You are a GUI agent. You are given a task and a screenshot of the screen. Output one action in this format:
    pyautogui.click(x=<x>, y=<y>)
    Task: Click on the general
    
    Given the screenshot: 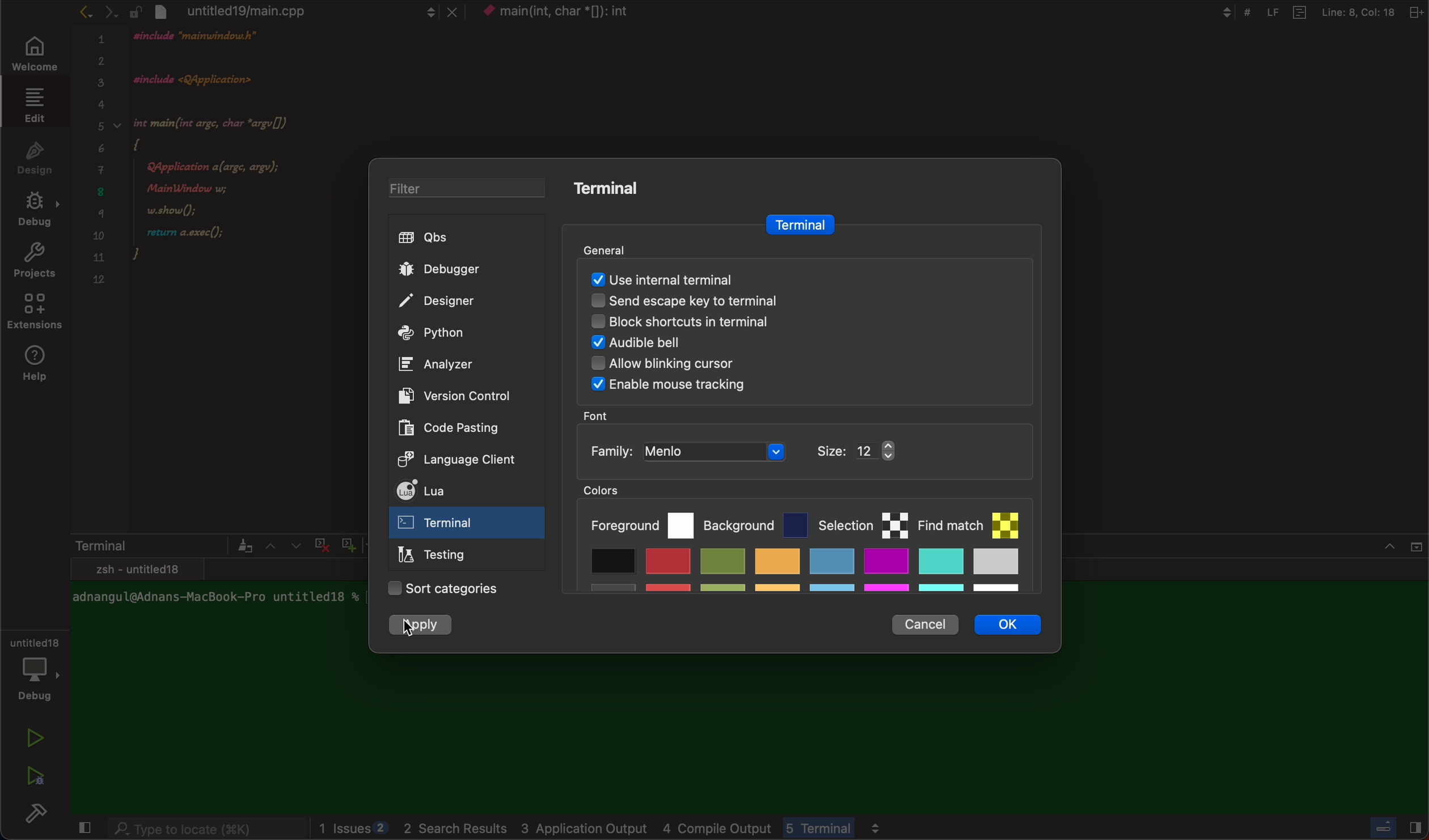 What is the action you would take?
    pyautogui.click(x=622, y=248)
    